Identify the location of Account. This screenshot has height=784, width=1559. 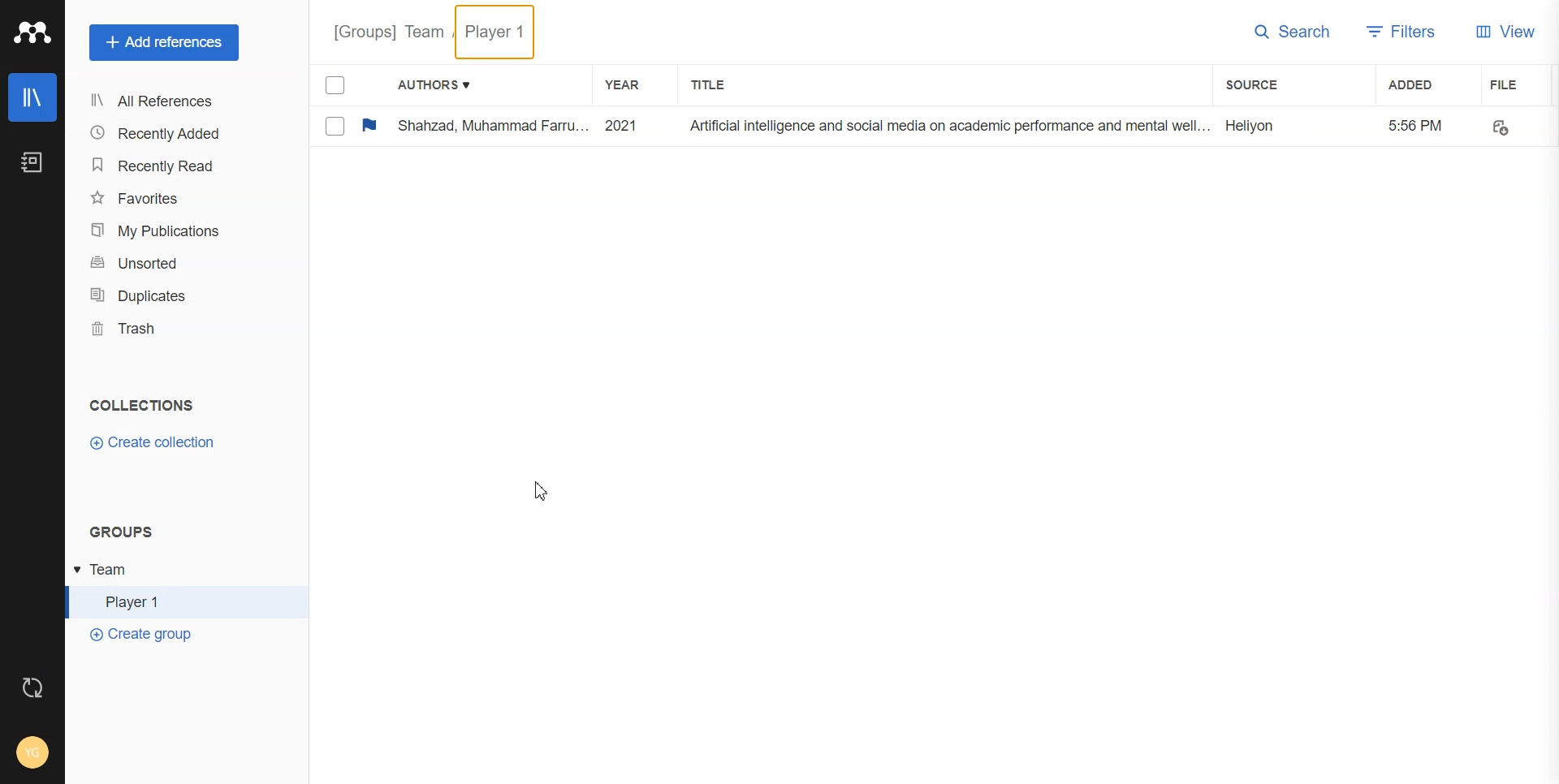
(32, 752).